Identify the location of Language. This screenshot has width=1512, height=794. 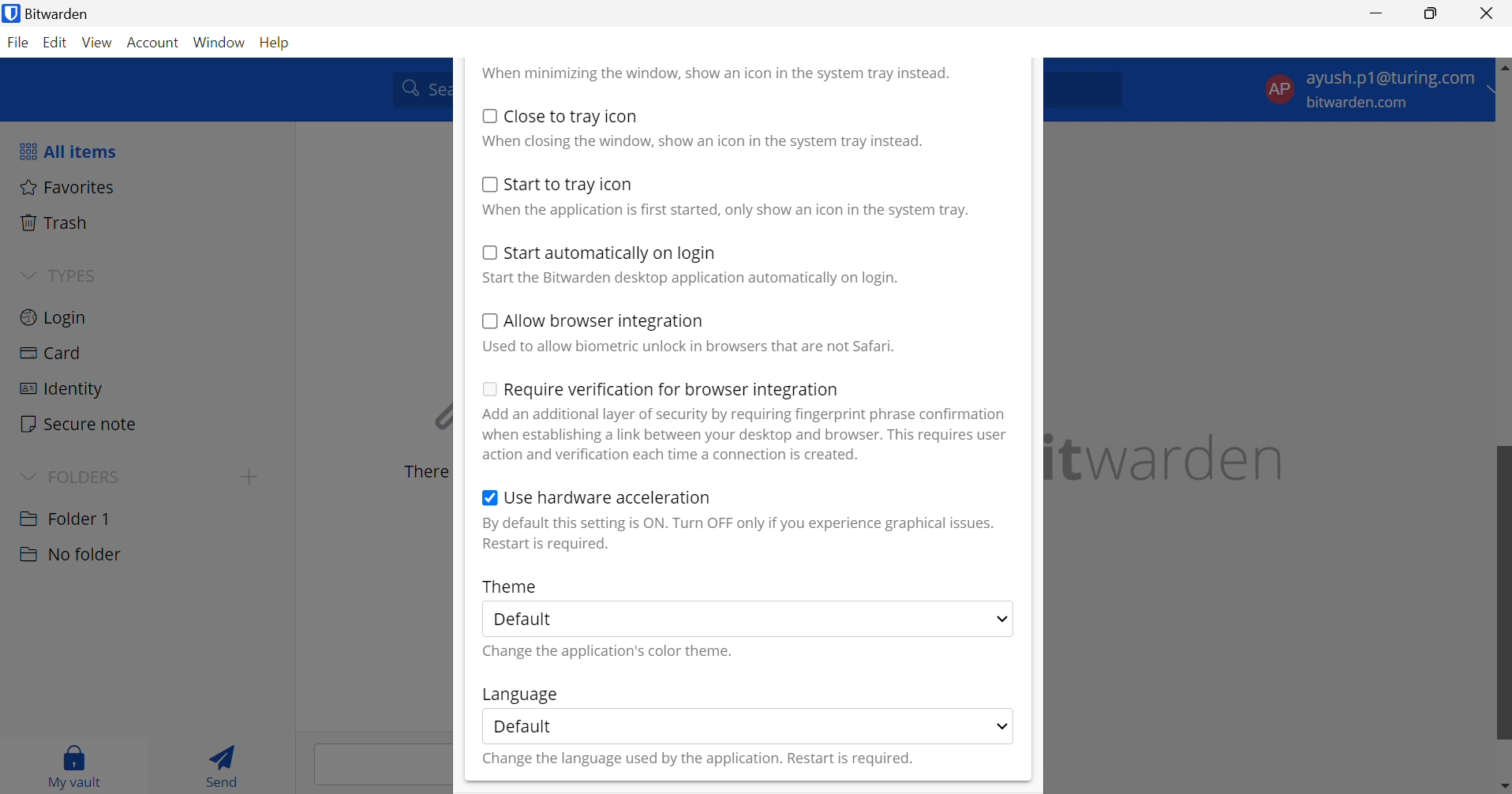
(518, 695).